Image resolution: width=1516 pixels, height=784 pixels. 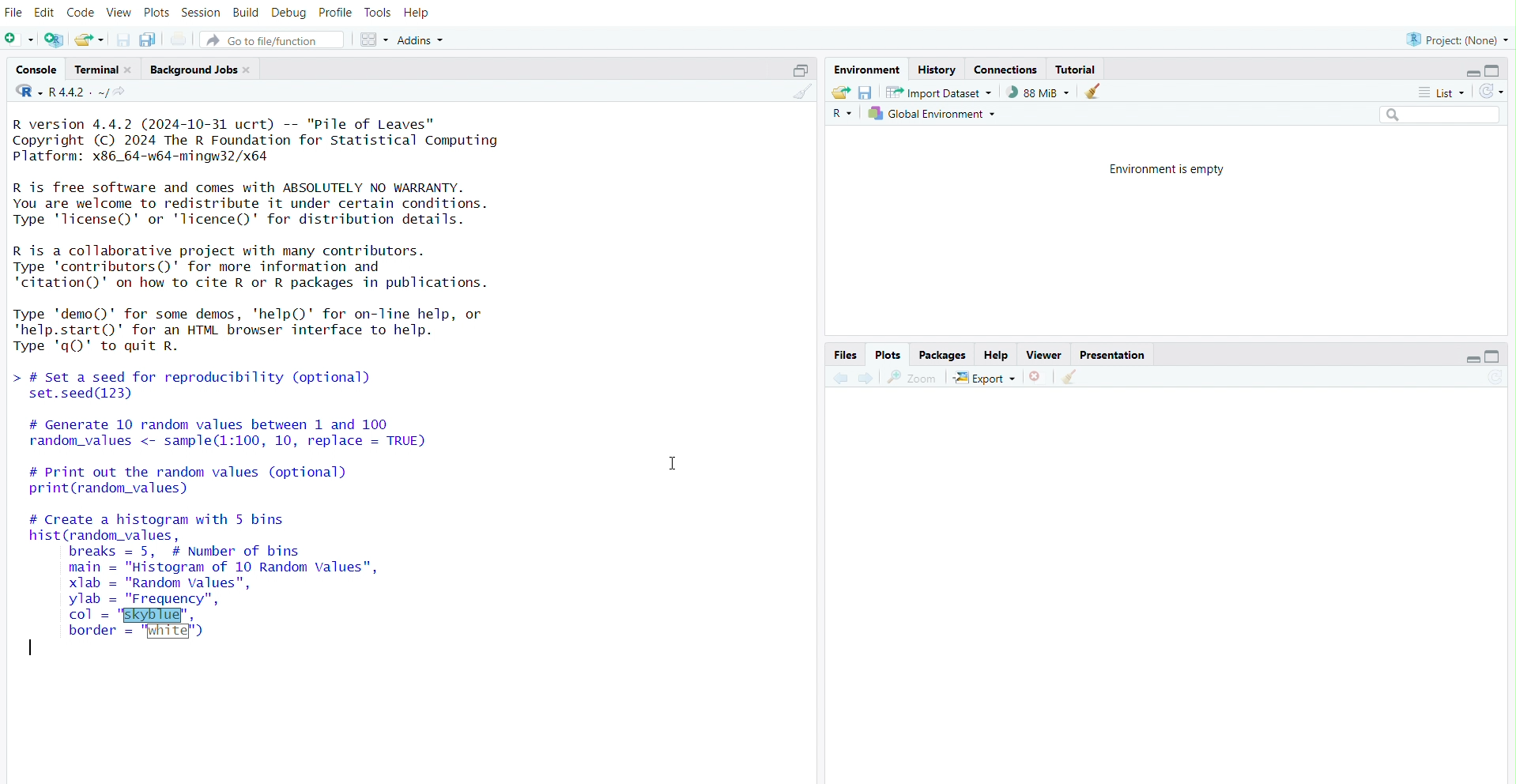 What do you see at coordinates (424, 38) in the screenshot?
I see `addins` at bounding box center [424, 38].